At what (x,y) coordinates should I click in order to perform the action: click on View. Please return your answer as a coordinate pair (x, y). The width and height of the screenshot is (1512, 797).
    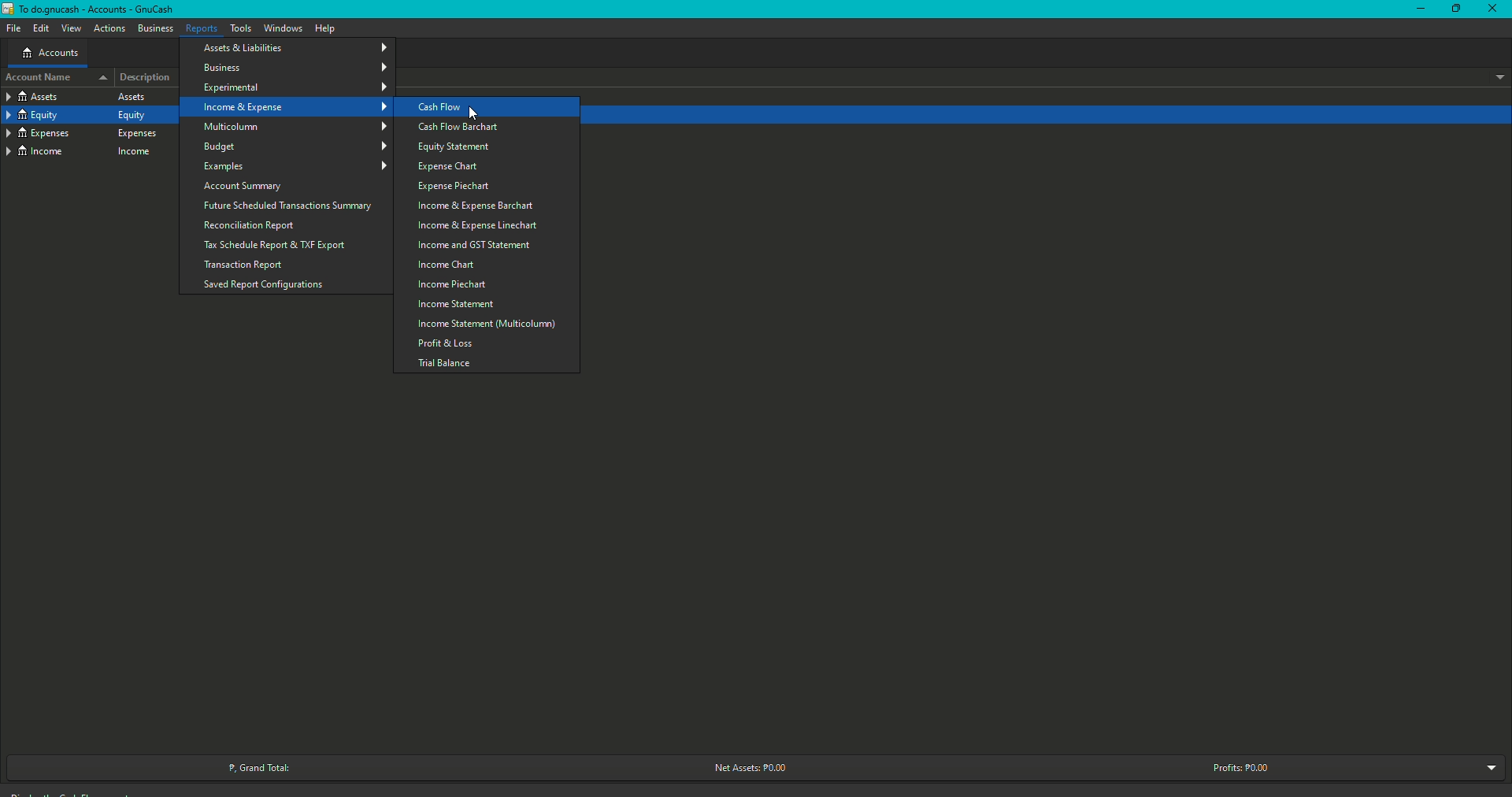
    Looking at the image, I should click on (72, 27).